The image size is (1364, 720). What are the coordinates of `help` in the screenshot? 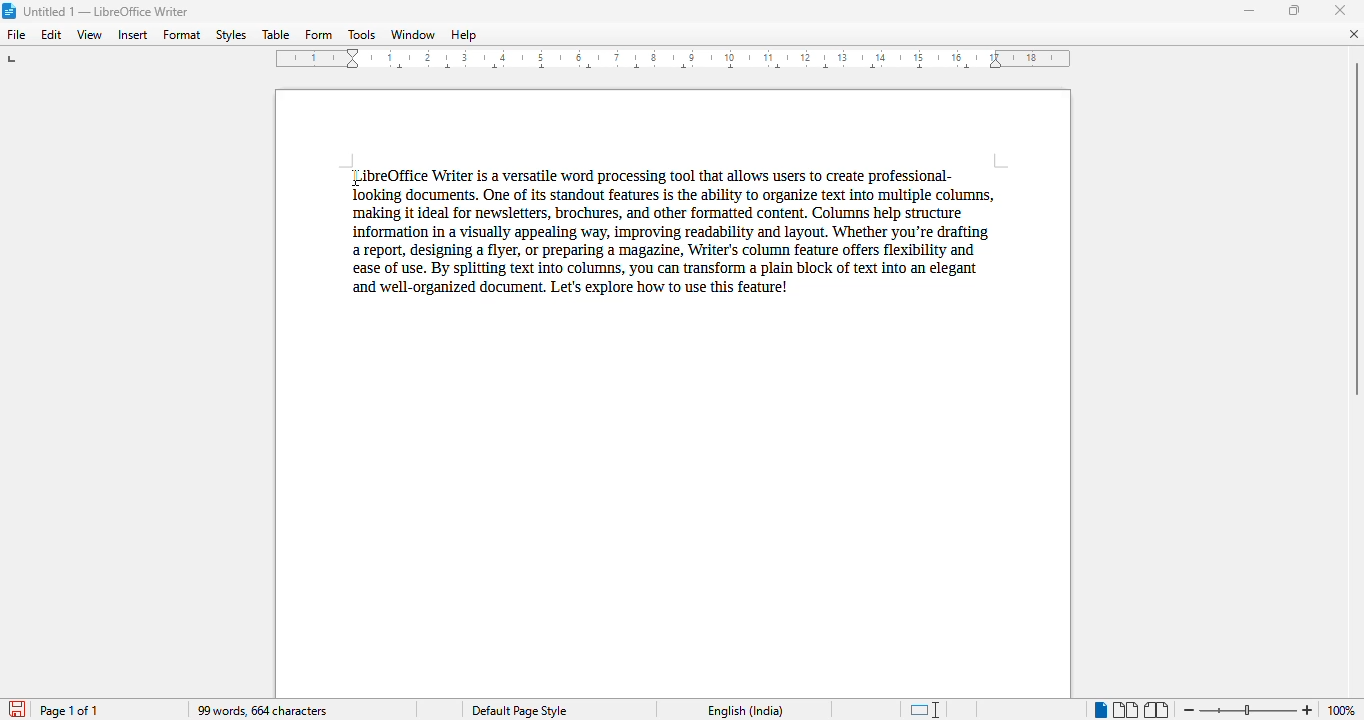 It's located at (464, 34).